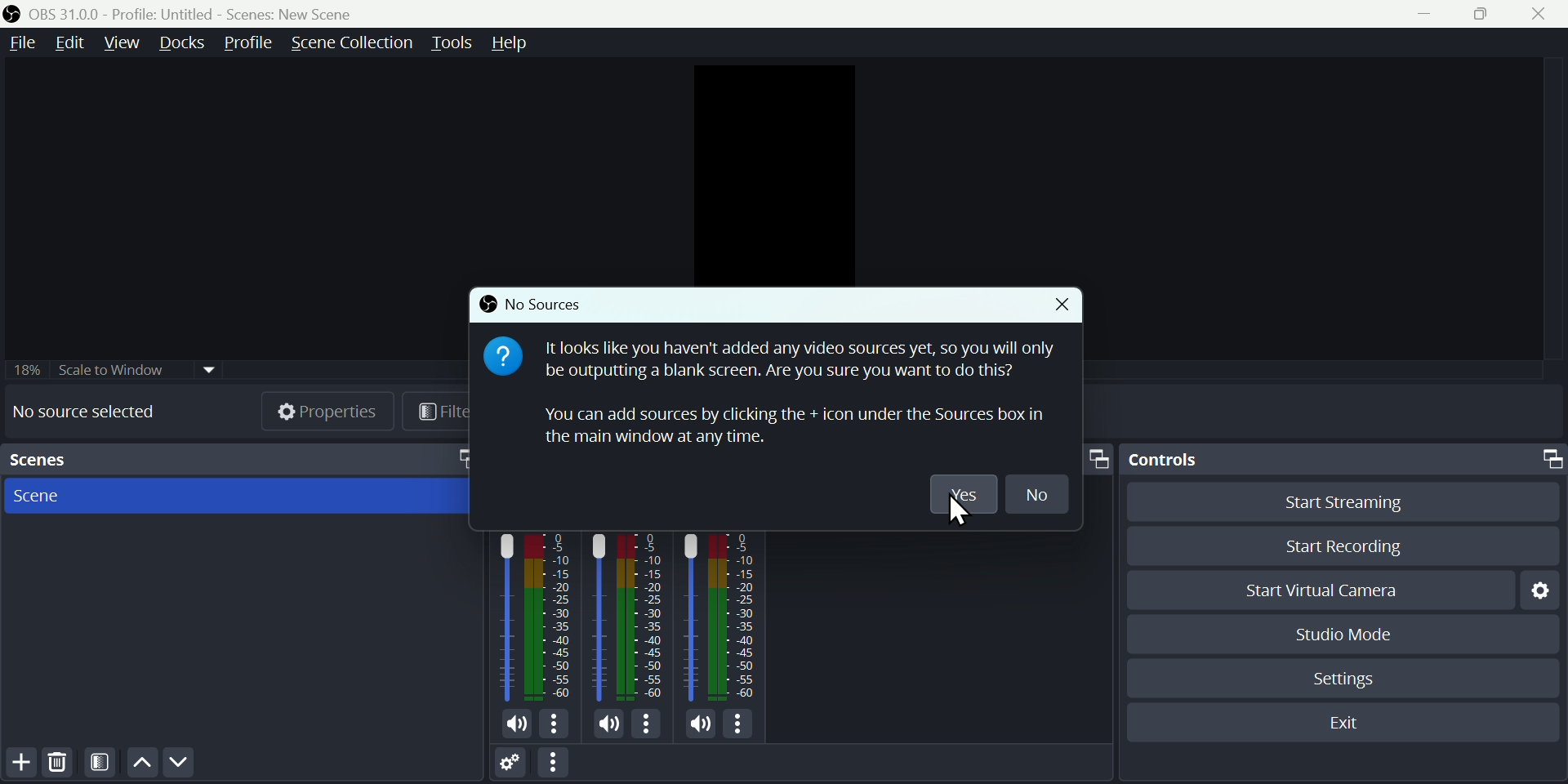 This screenshot has width=1568, height=784. I want to click on Start streaming, so click(1335, 501).